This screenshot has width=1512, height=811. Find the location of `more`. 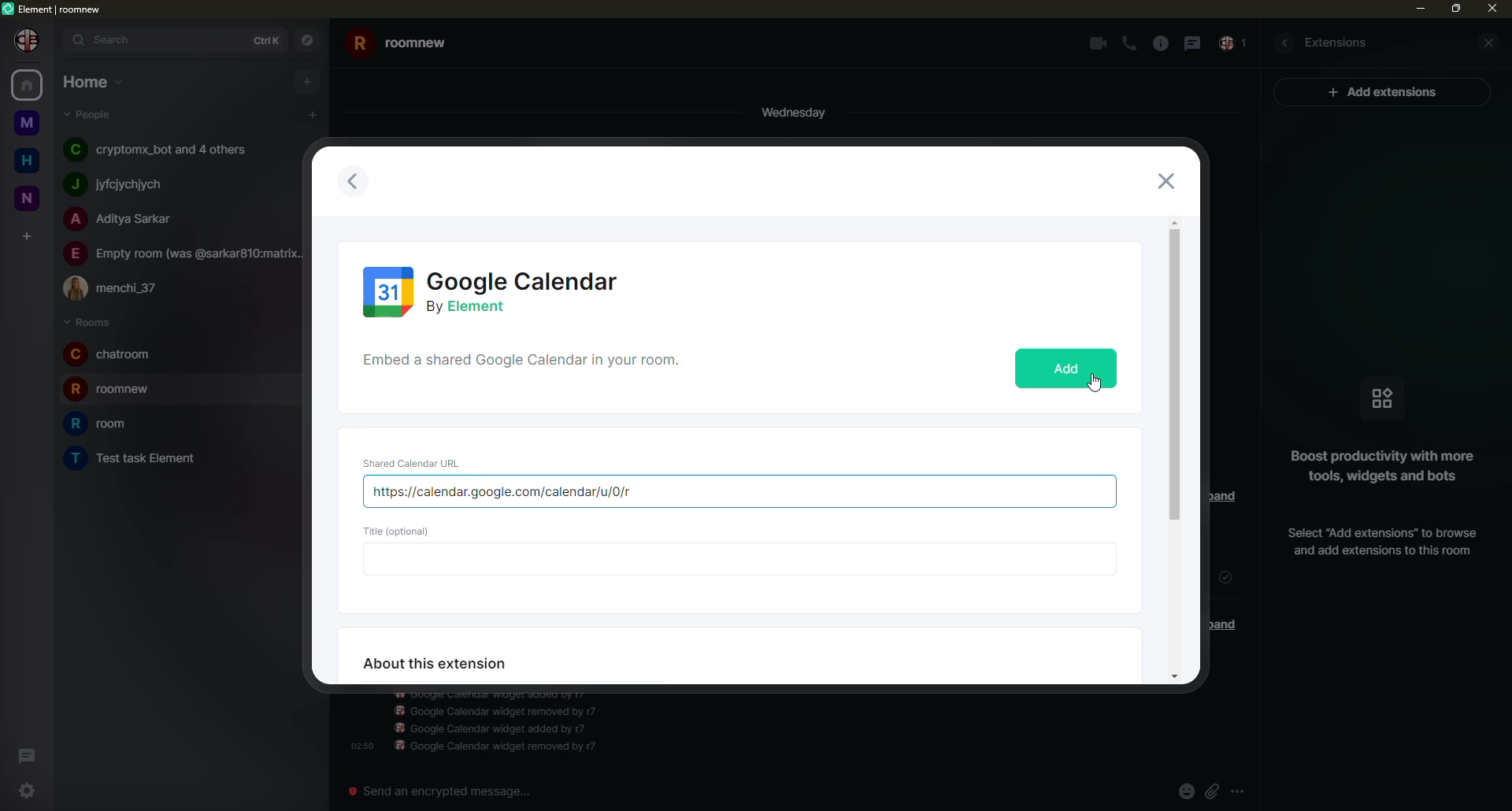

more is located at coordinates (1236, 791).